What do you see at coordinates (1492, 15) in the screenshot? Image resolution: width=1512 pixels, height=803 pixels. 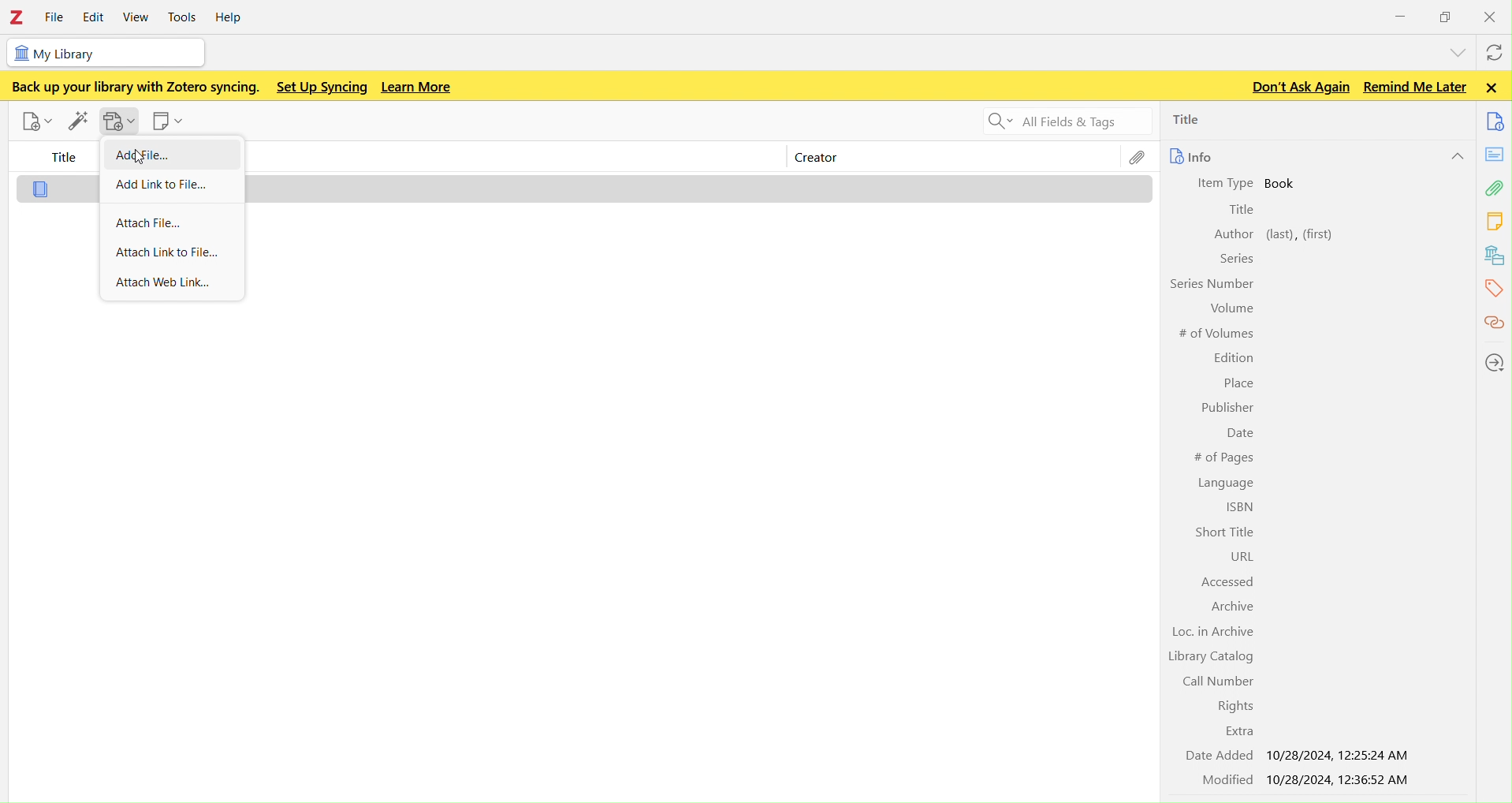 I see `close` at bounding box center [1492, 15].